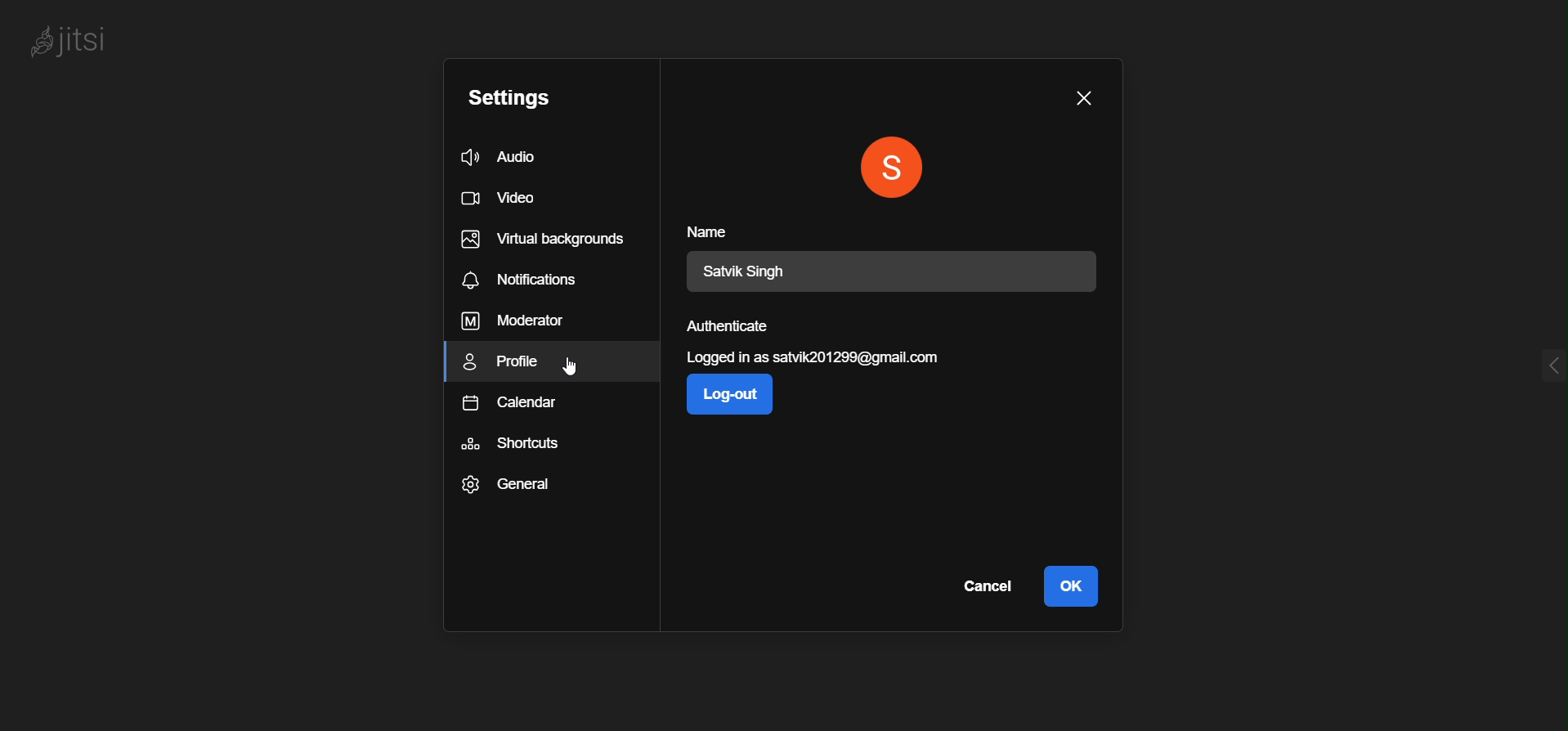 This screenshot has width=1568, height=731. I want to click on cancel, so click(986, 587).